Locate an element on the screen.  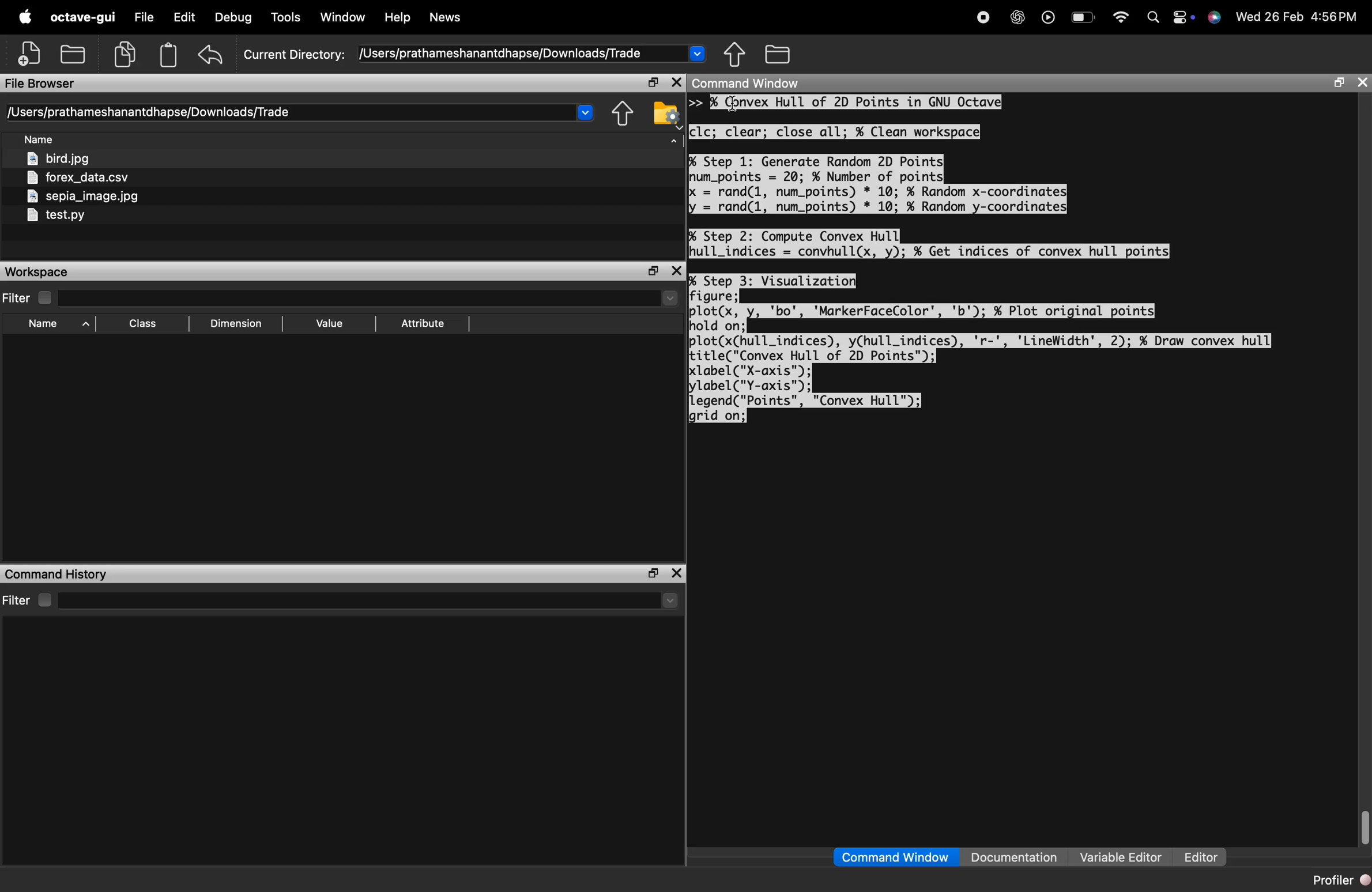
Value is located at coordinates (329, 323).